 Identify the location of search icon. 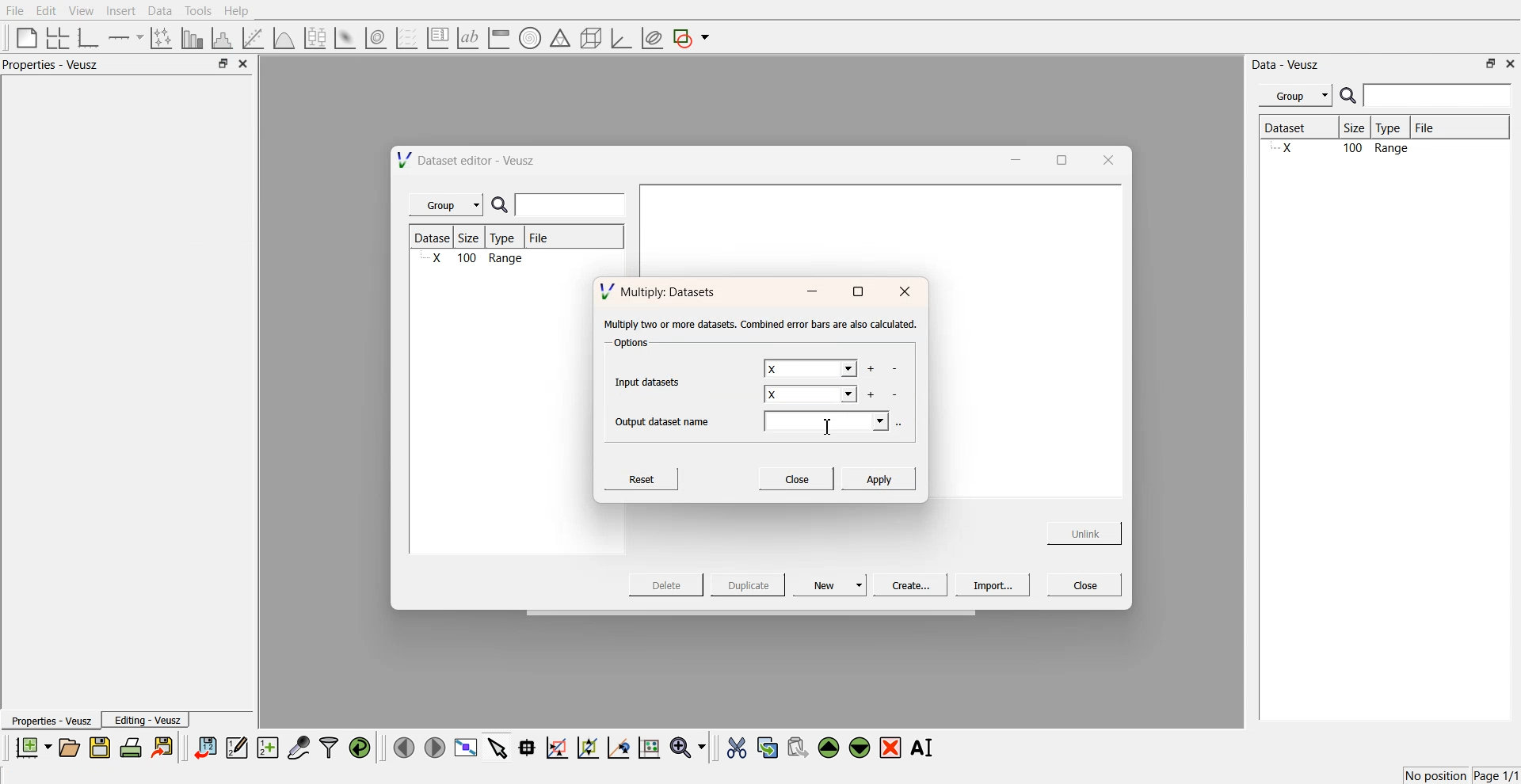
(1350, 95).